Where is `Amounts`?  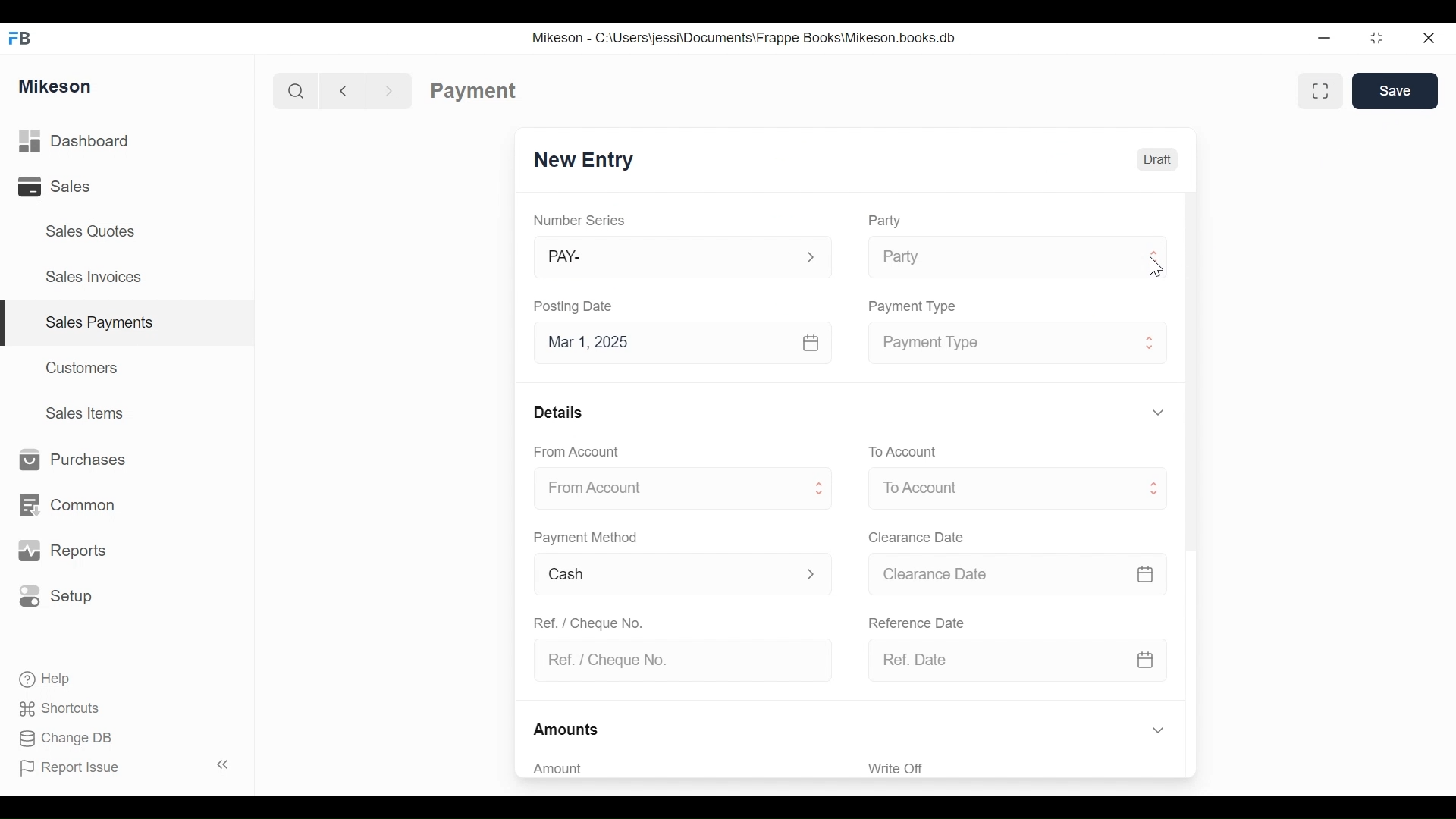
Amounts is located at coordinates (570, 726).